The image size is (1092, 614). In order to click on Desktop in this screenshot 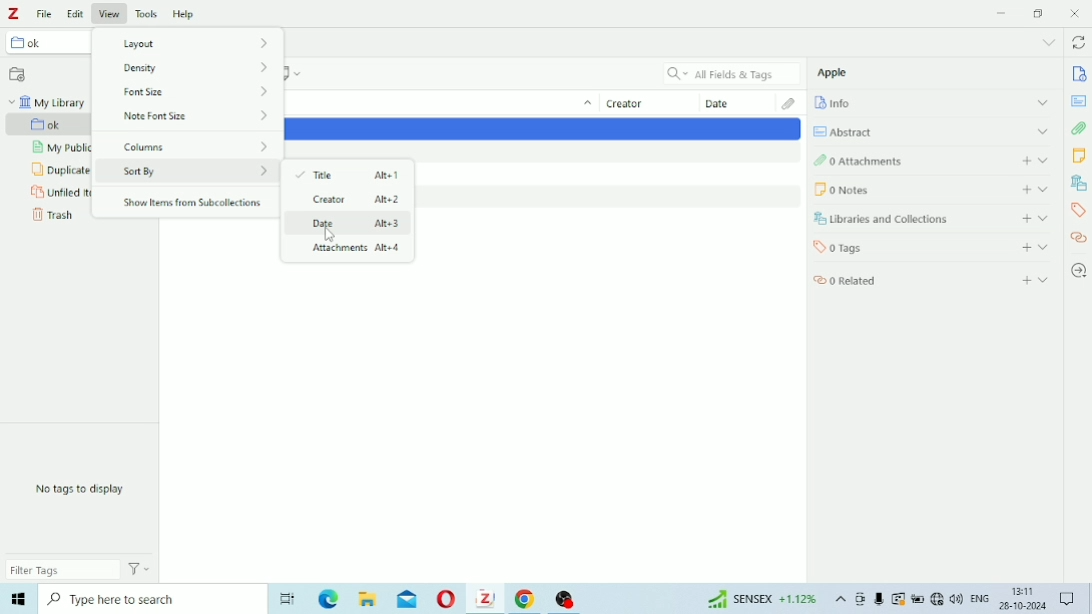, I will do `click(285, 598)`.